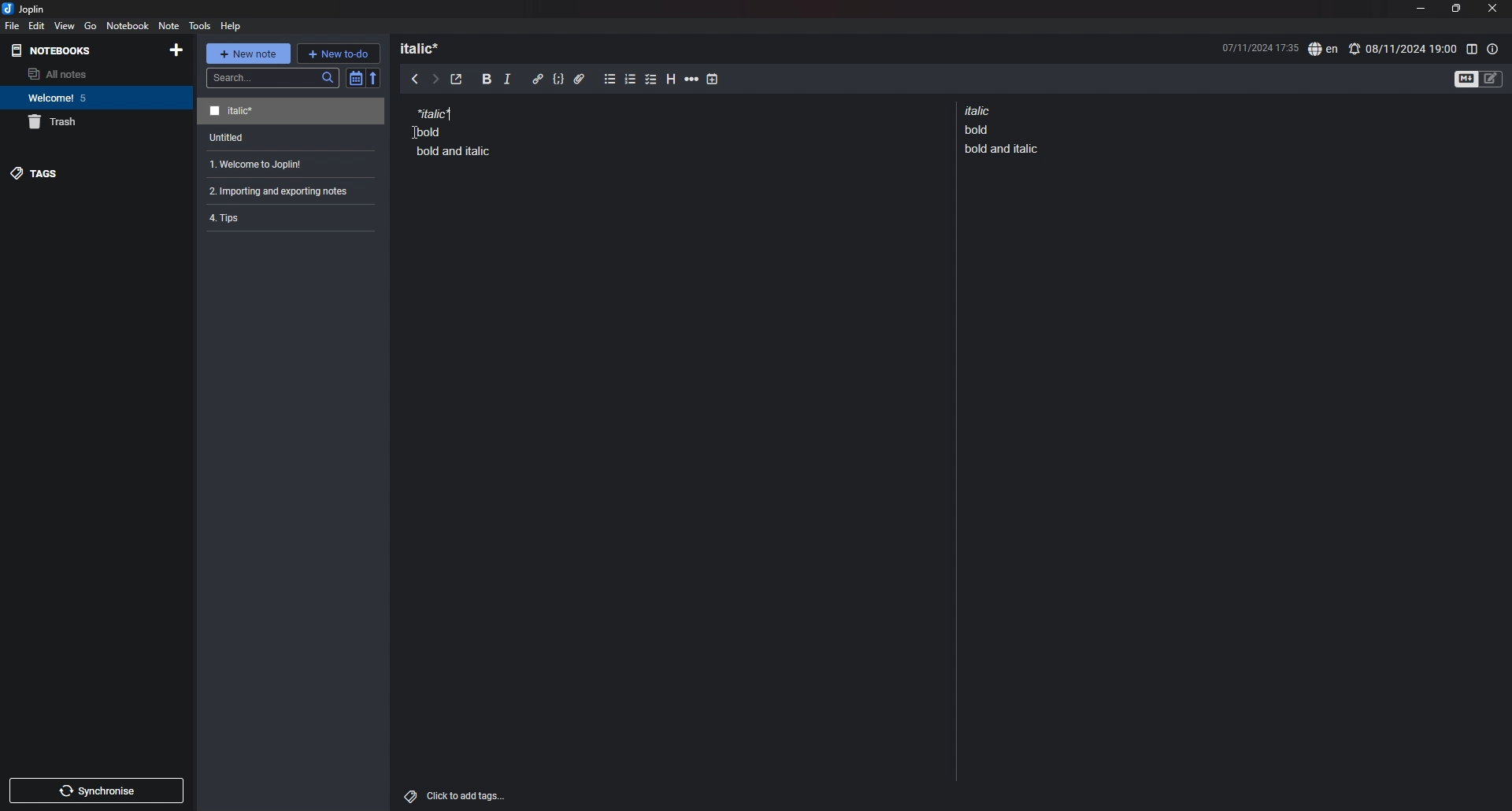  I want to click on new todo, so click(338, 53).